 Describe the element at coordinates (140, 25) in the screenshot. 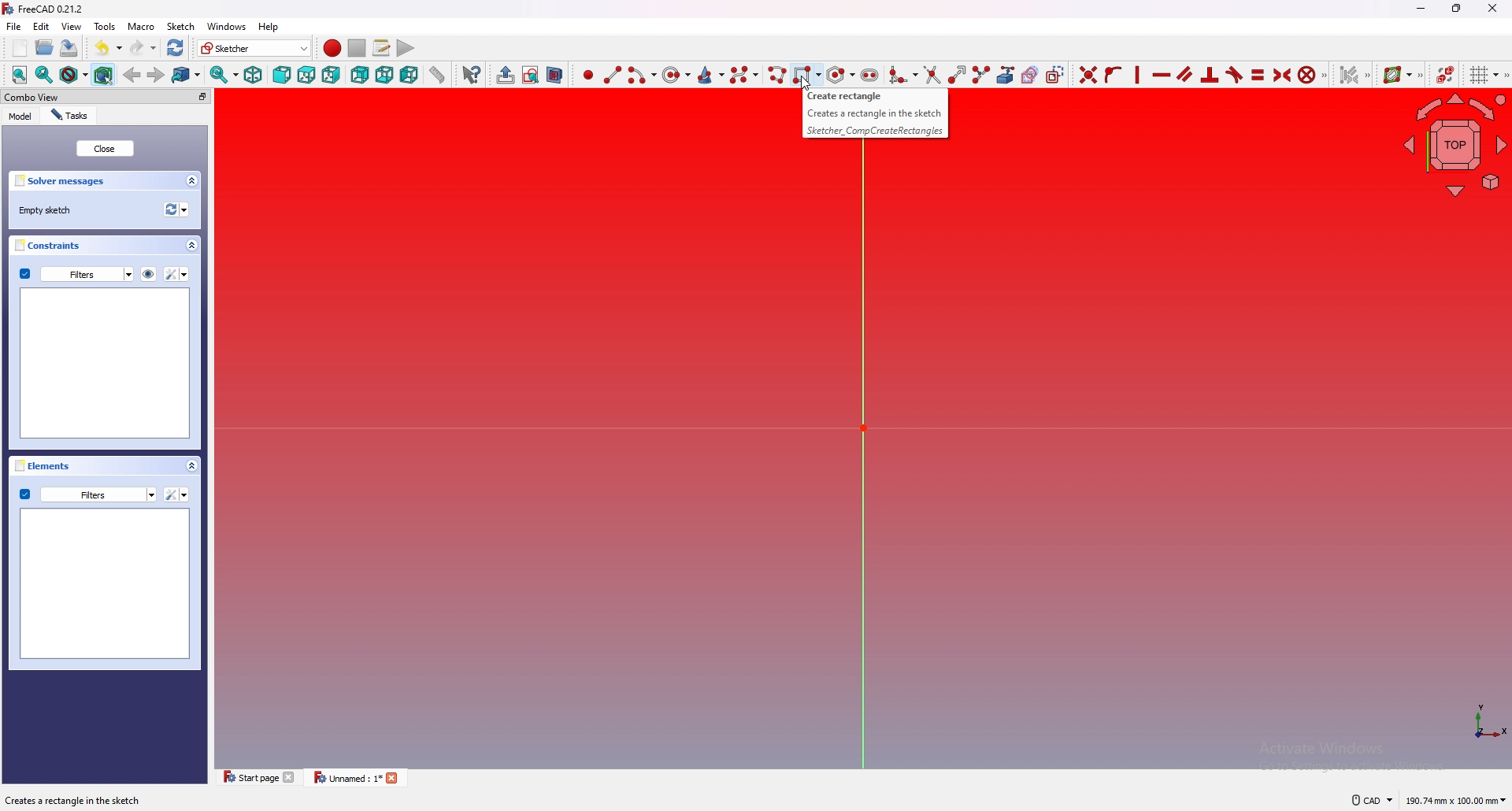

I see `macro` at that location.